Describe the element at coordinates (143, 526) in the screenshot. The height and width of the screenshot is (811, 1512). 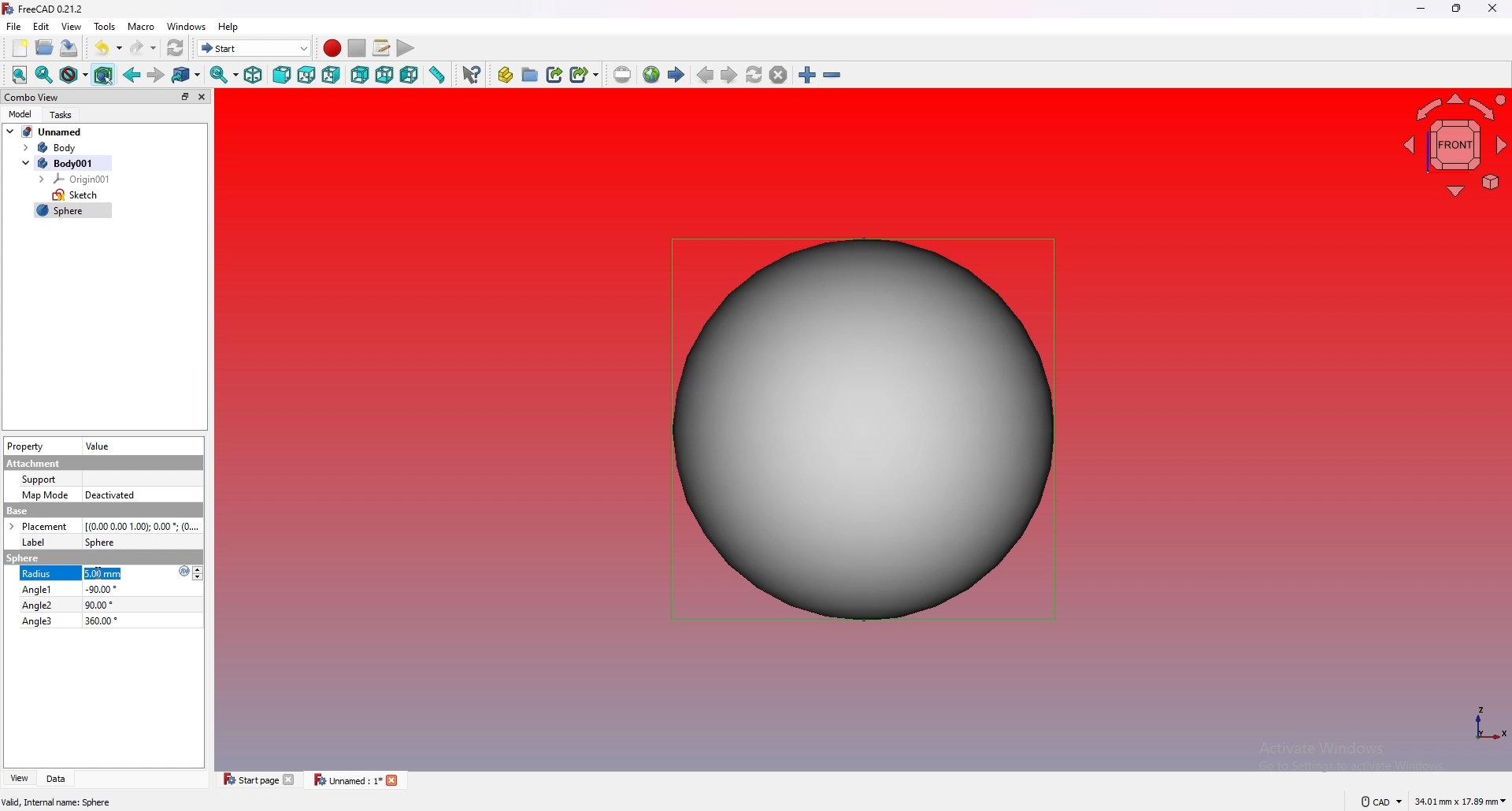
I see `0.00 0.00` at that location.